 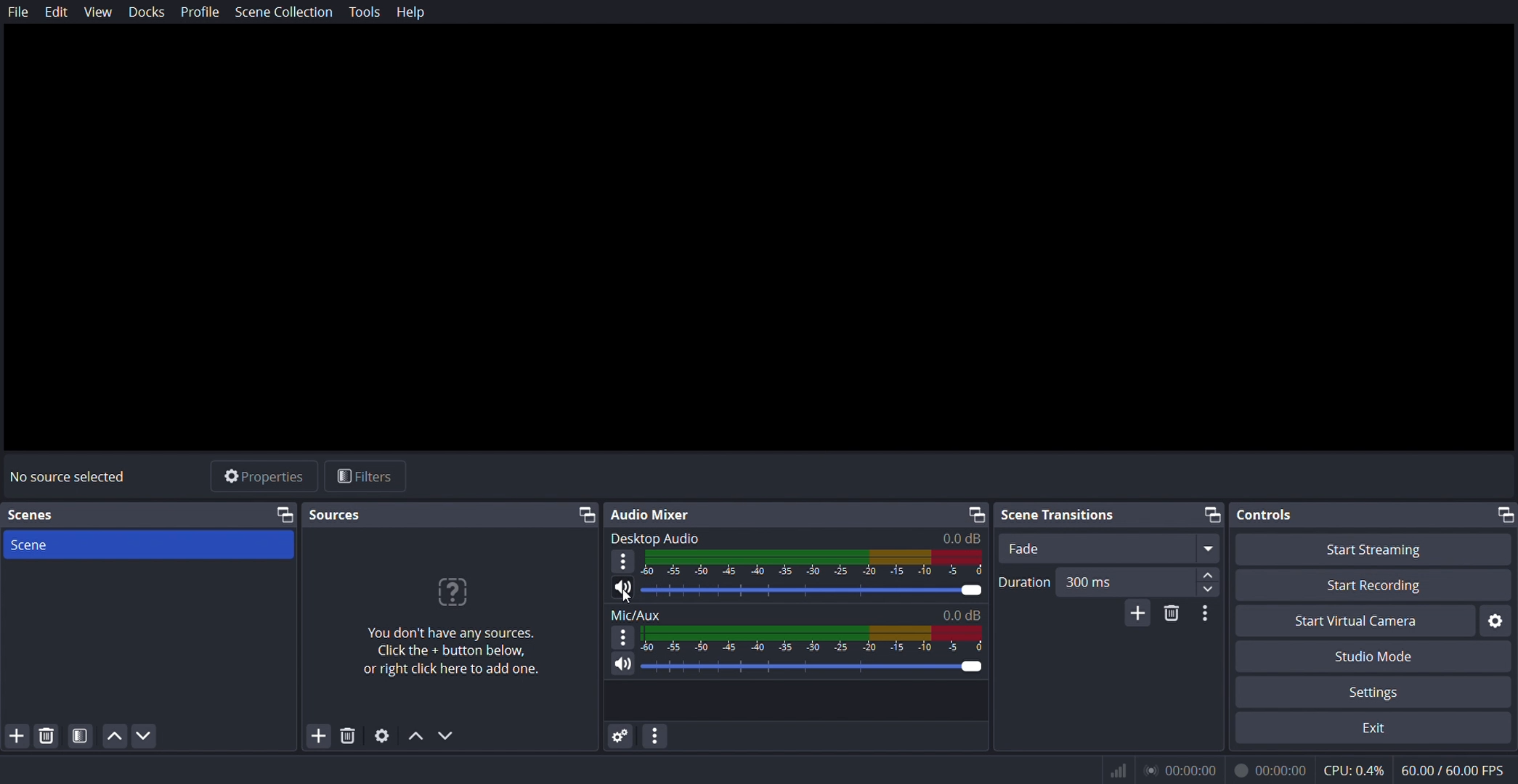 I want to click on restore, so click(x=583, y=515).